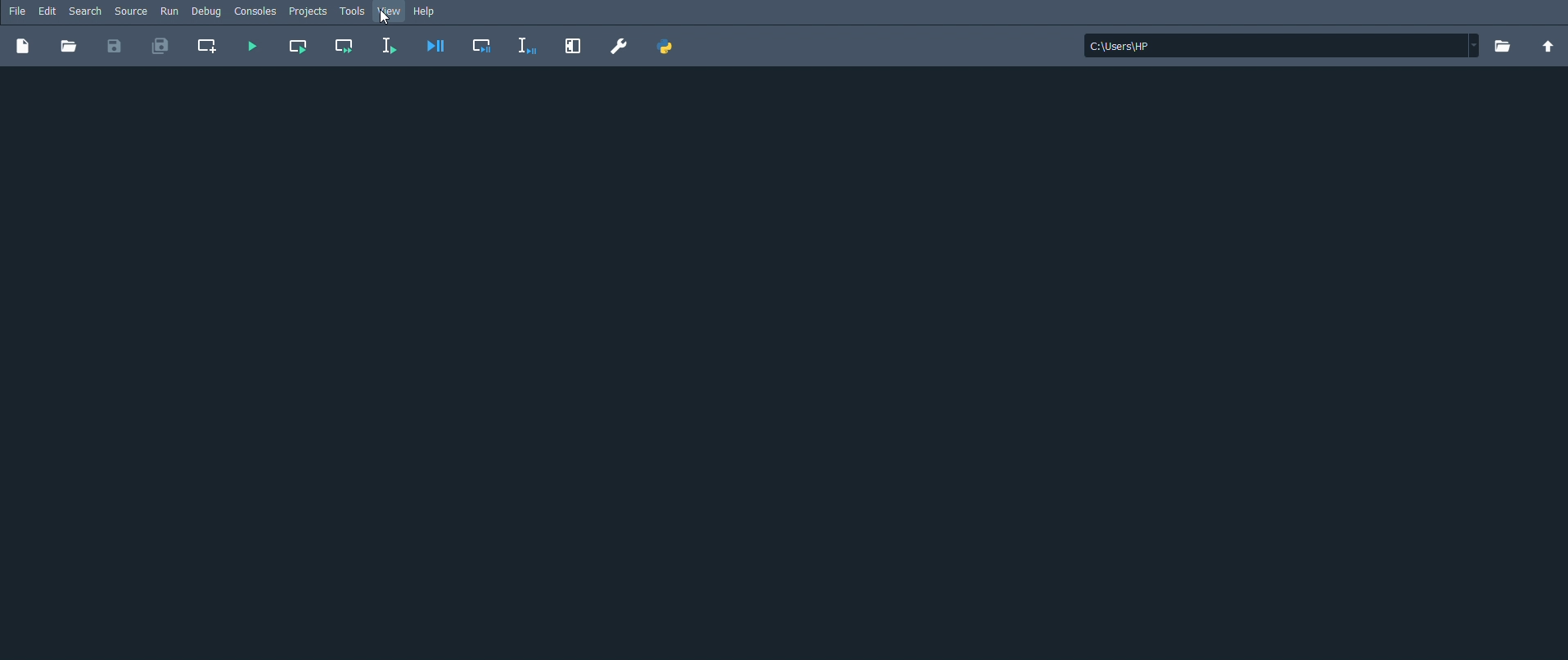 The width and height of the screenshot is (1568, 660). I want to click on Tools, so click(354, 12).